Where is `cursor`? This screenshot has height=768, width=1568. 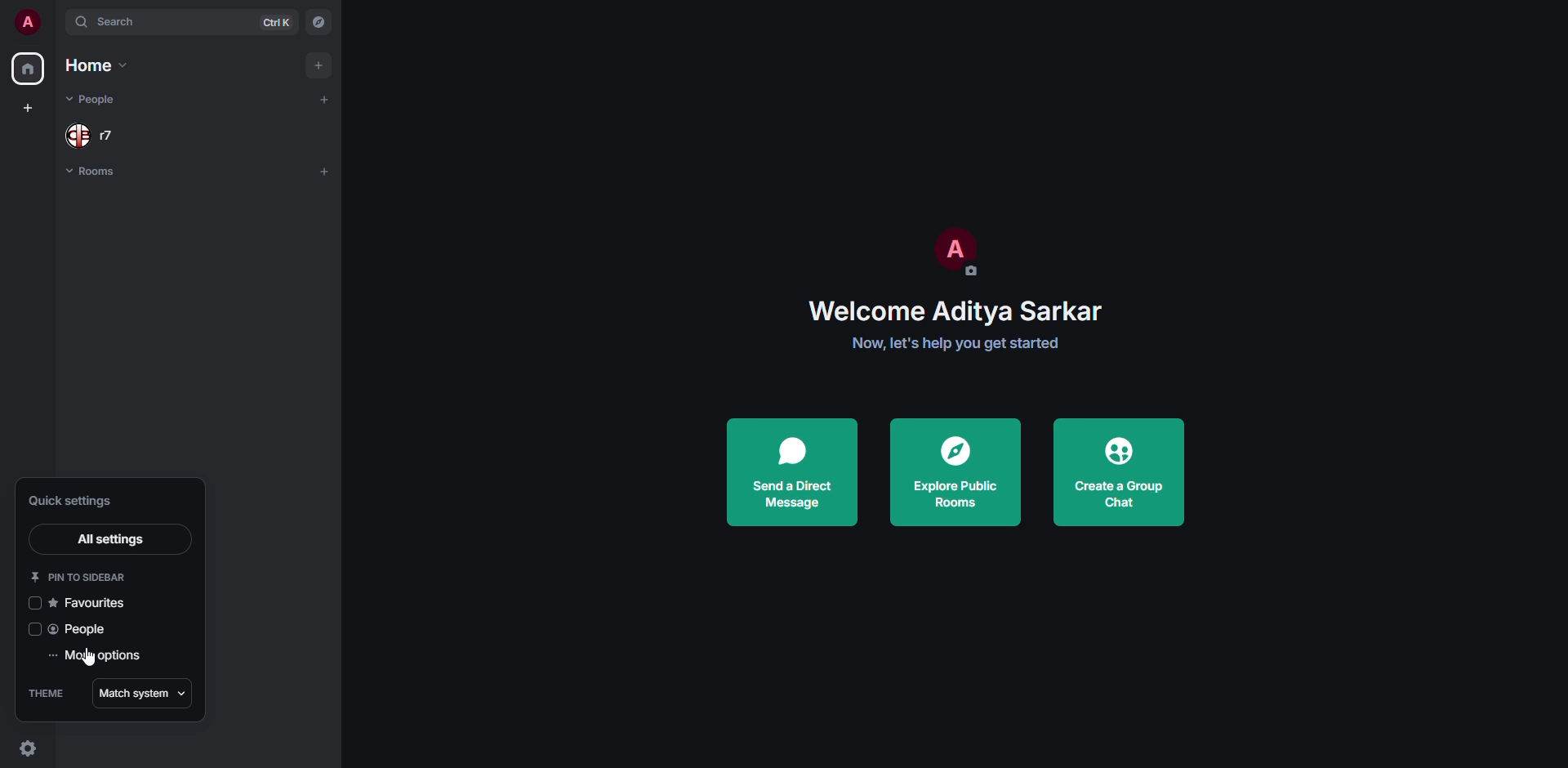 cursor is located at coordinates (91, 658).